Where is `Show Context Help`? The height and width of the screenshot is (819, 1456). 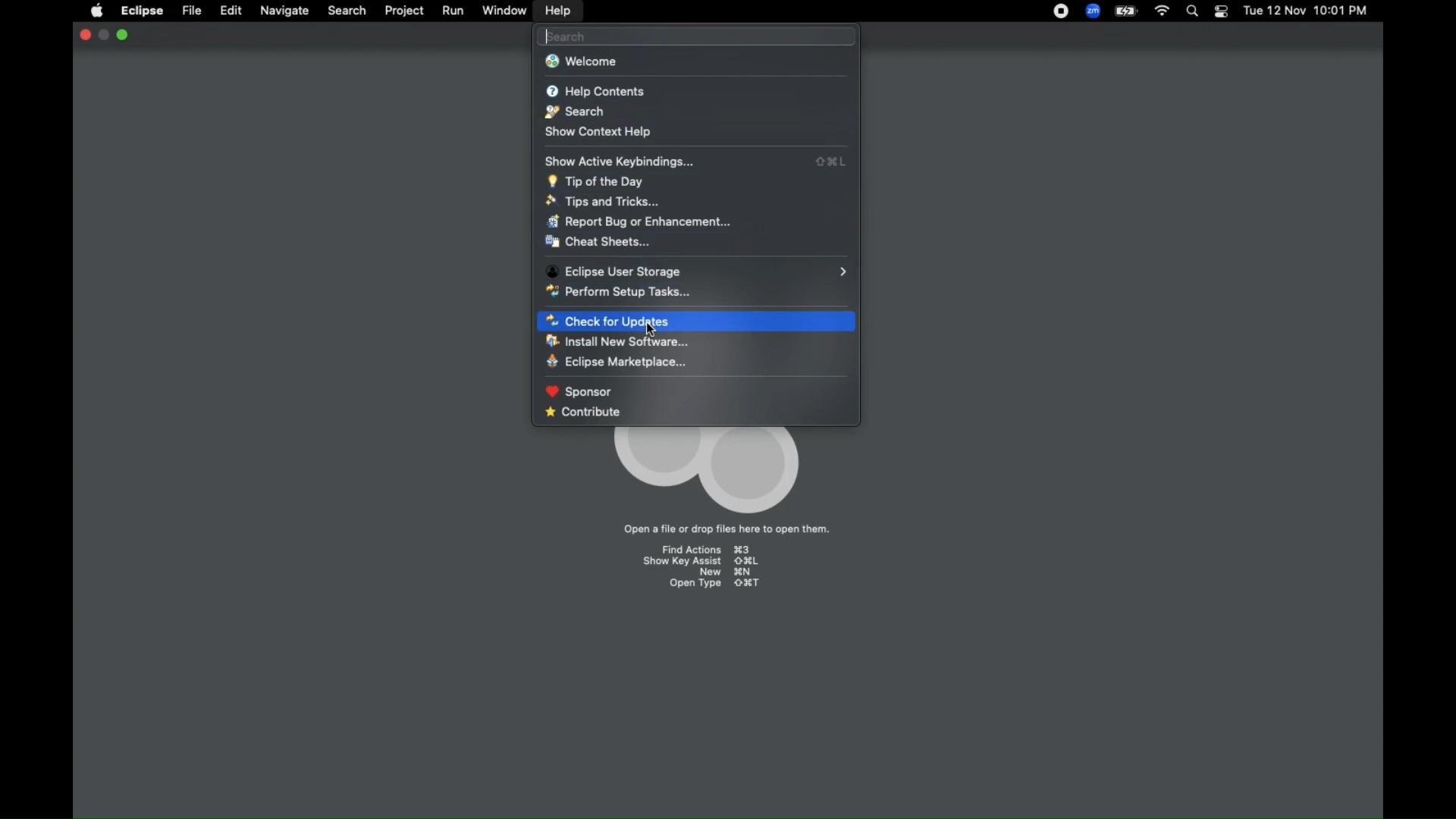 Show Context Help is located at coordinates (697, 134).